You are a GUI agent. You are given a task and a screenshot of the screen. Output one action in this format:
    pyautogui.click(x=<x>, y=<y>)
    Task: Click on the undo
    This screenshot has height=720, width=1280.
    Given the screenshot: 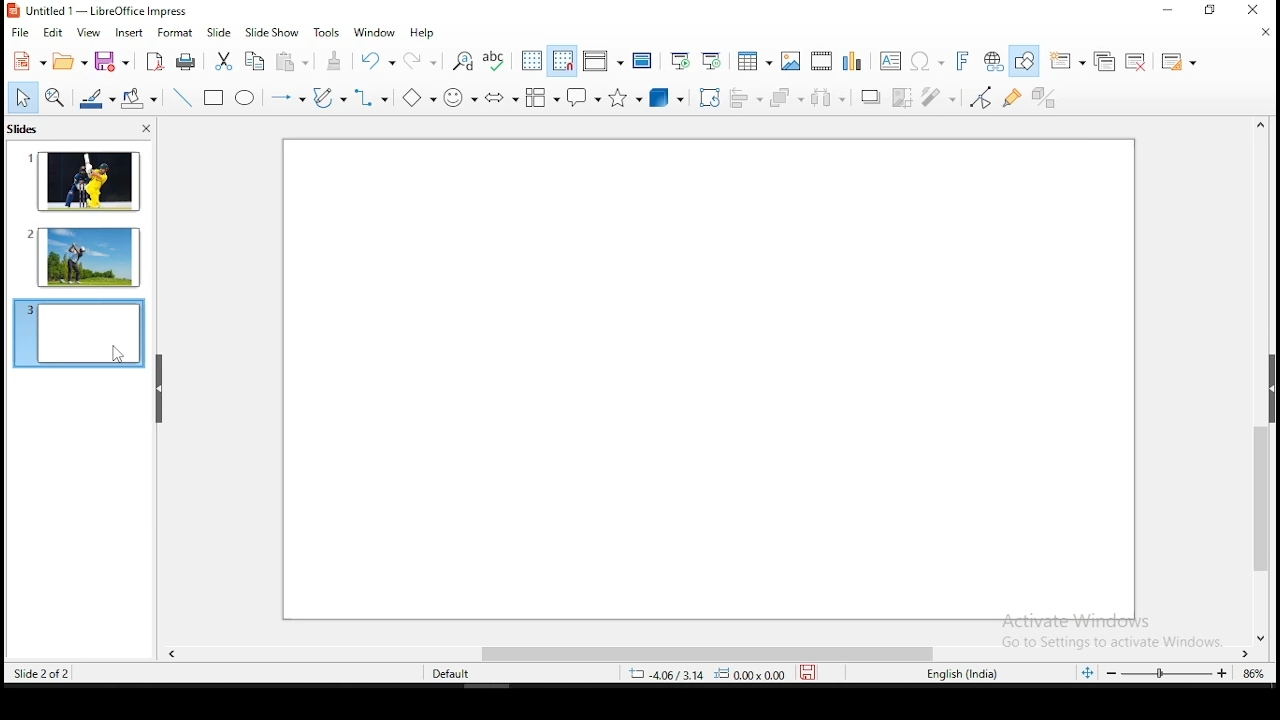 What is the action you would take?
    pyautogui.click(x=378, y=62)
    